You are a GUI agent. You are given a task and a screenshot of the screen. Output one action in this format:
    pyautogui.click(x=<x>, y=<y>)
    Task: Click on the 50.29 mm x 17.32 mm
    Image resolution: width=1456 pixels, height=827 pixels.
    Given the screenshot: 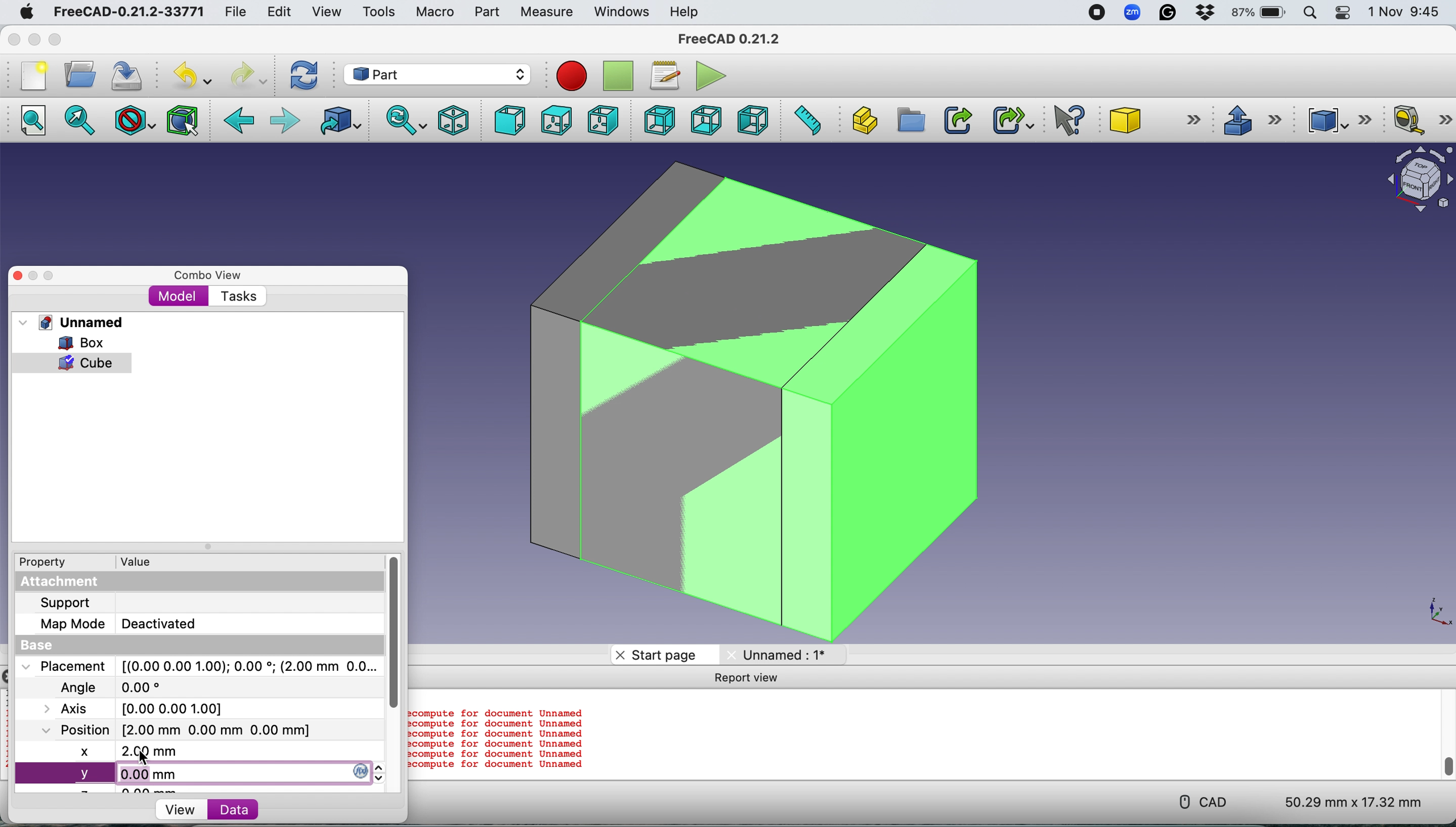 What is the action you would take?
    pyautogui.click(x=1343, y=800)
    